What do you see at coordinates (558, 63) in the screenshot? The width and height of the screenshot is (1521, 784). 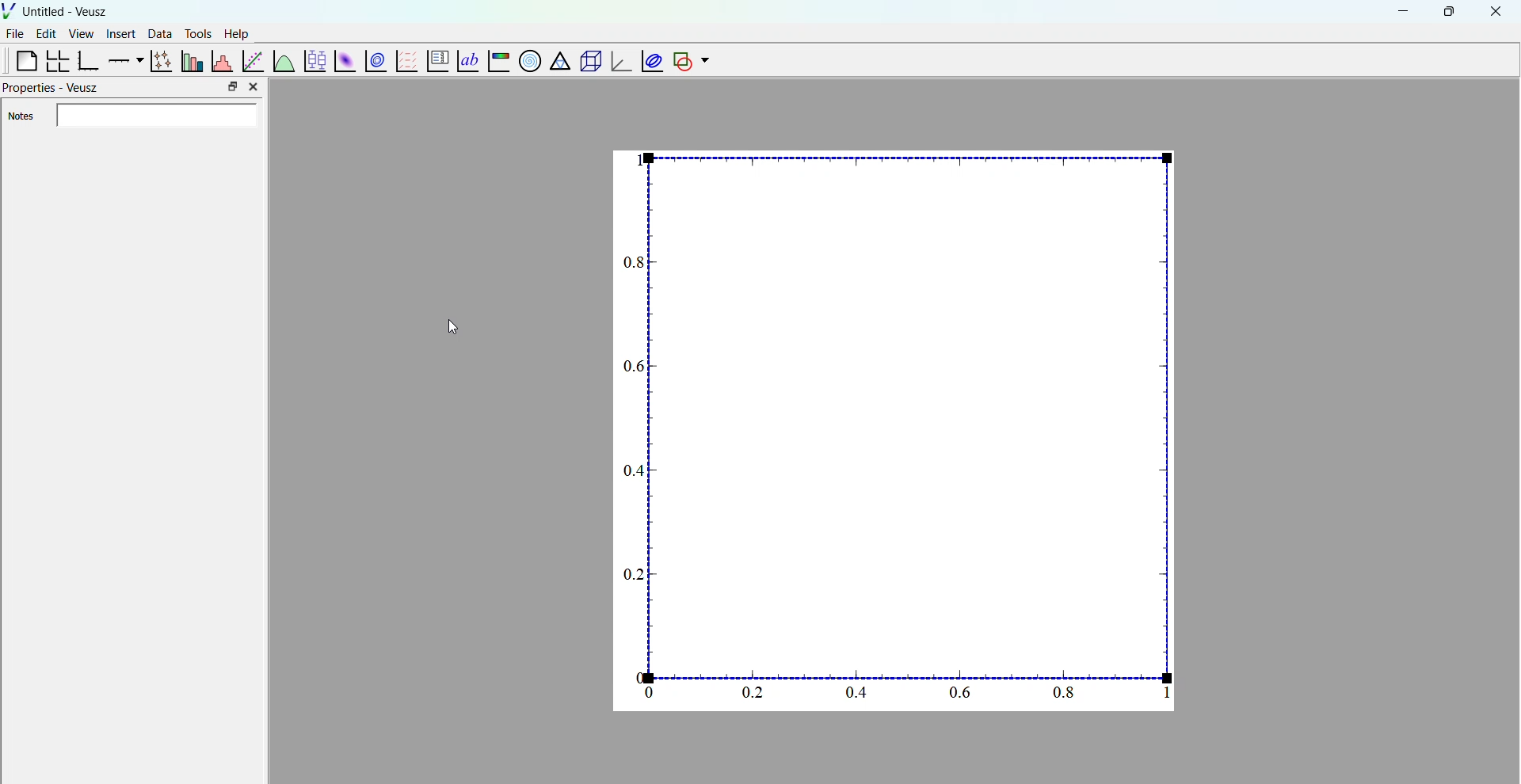 I see `ternary graph` at bounding box center [558, 63].